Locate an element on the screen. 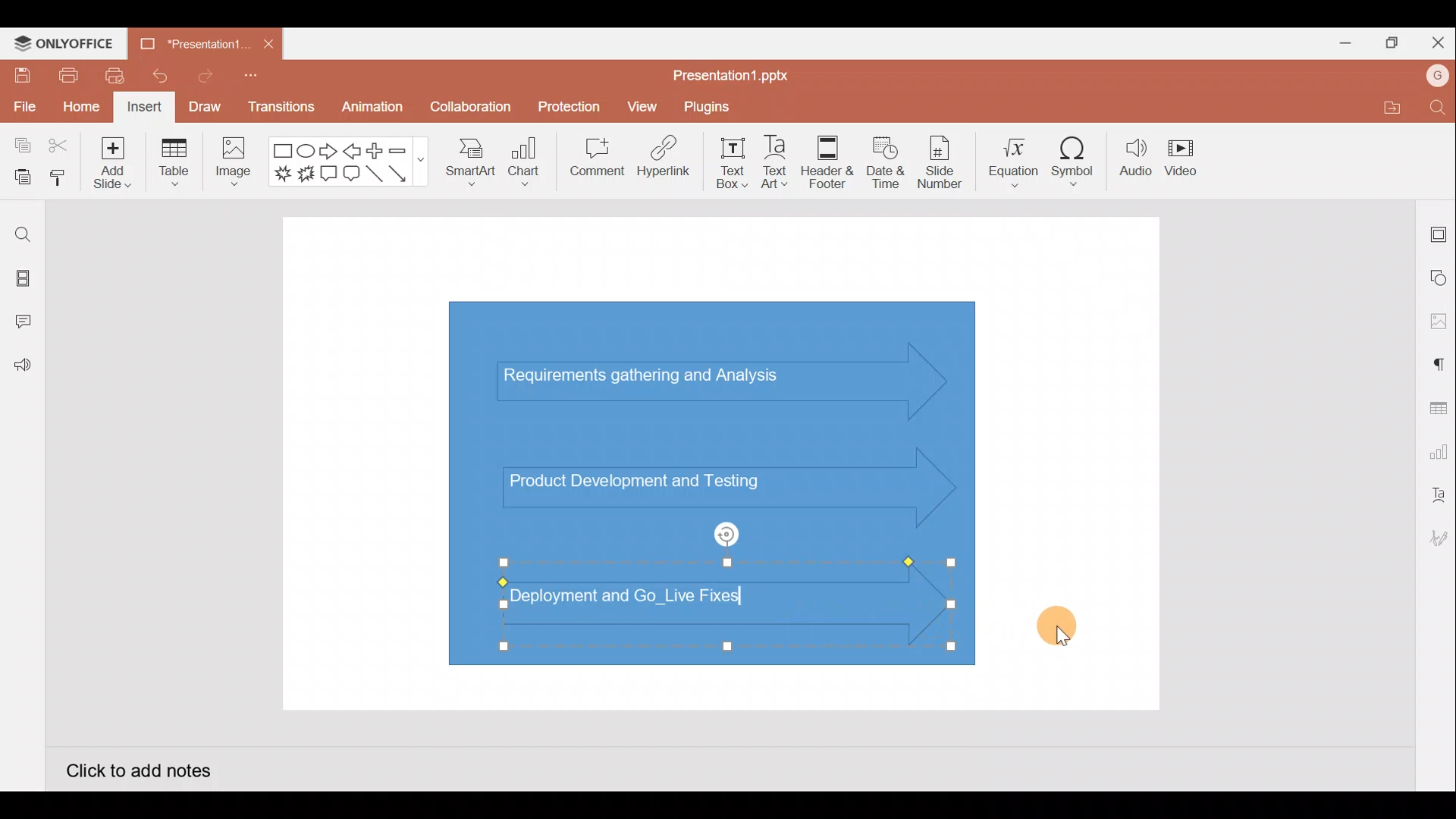 The height and width of the screenshot is (819, 1456). Open file location is located at coordinates (1389, 107).